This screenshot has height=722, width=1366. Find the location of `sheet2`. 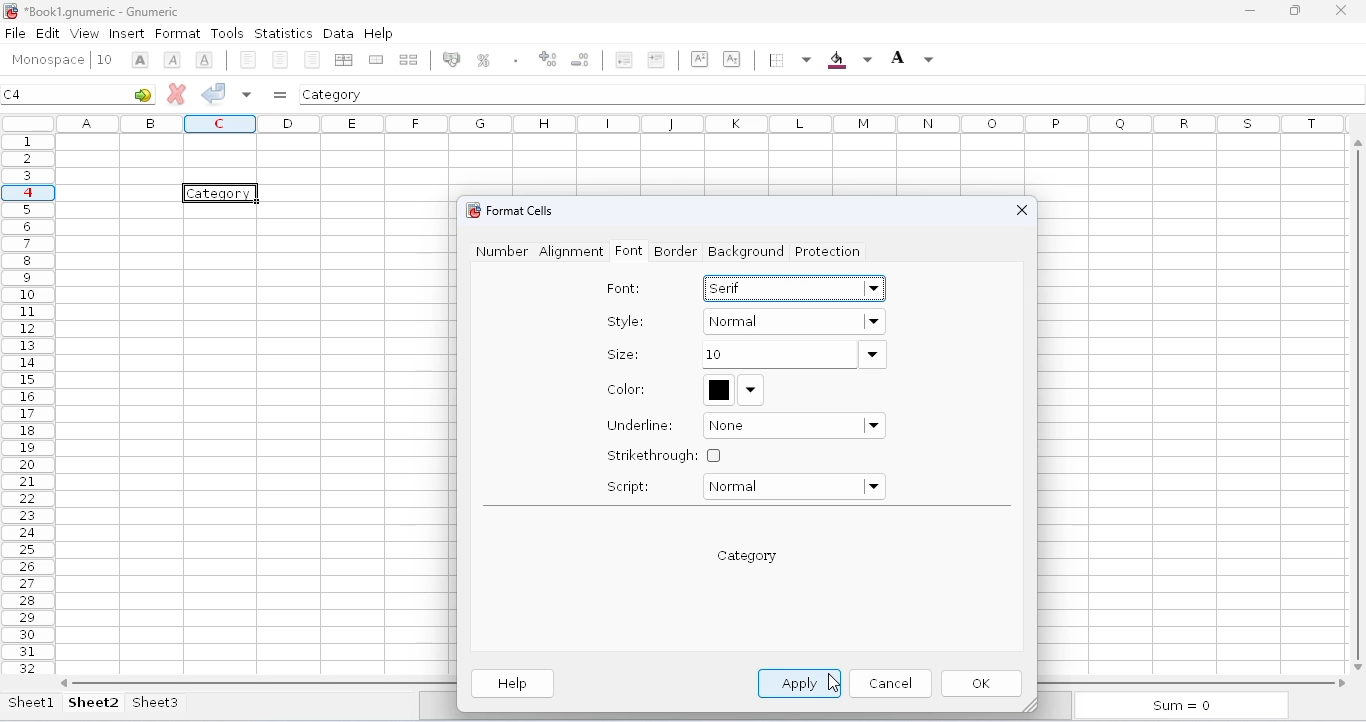

sheet2 is located at coordinates (94, 702).